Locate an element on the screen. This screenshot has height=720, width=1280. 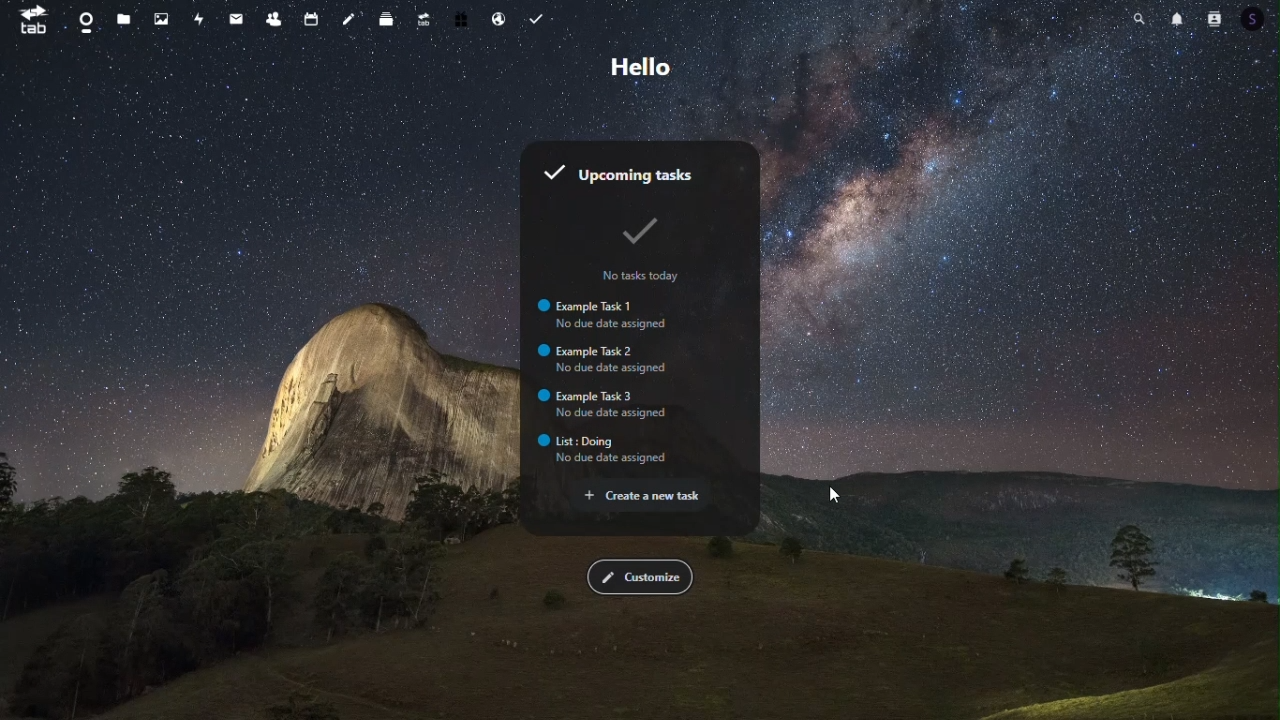
Example Task 2 is located at coordinates (610, 362).